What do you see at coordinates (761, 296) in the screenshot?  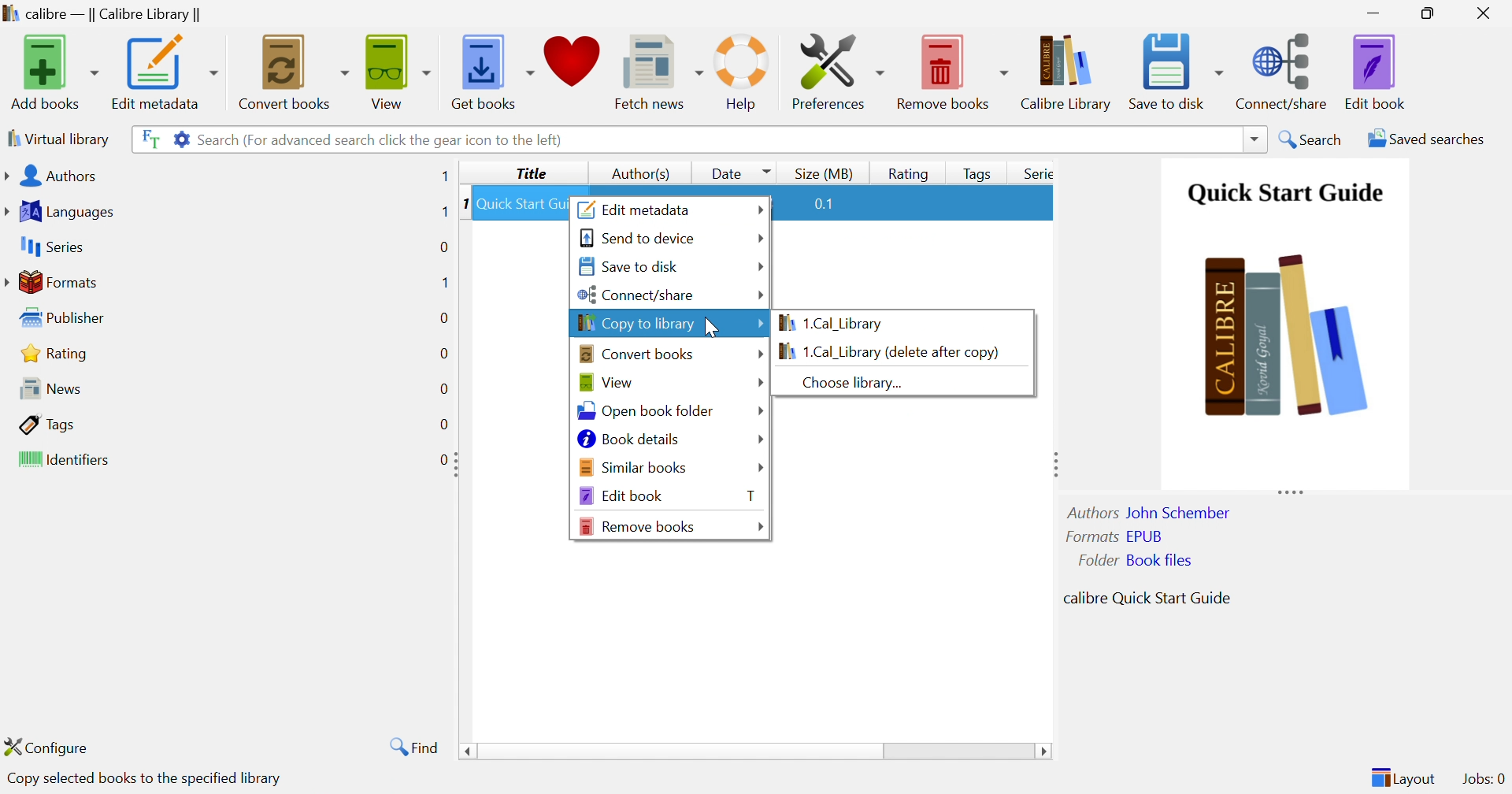 I see `Drop Down` at bounding box center [761, 296].